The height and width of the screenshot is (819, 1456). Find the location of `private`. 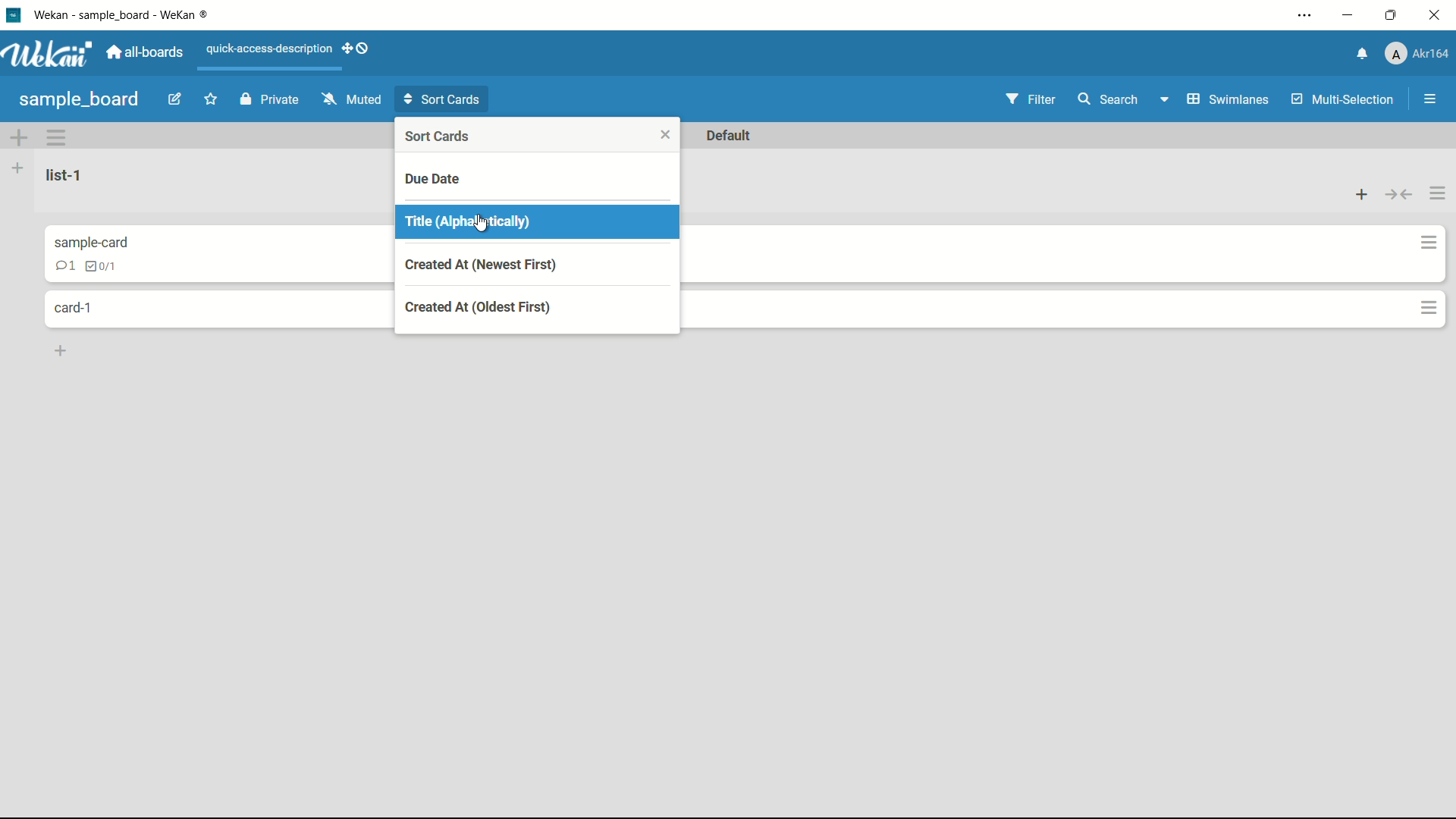

private is located at coordinates (269, 101).